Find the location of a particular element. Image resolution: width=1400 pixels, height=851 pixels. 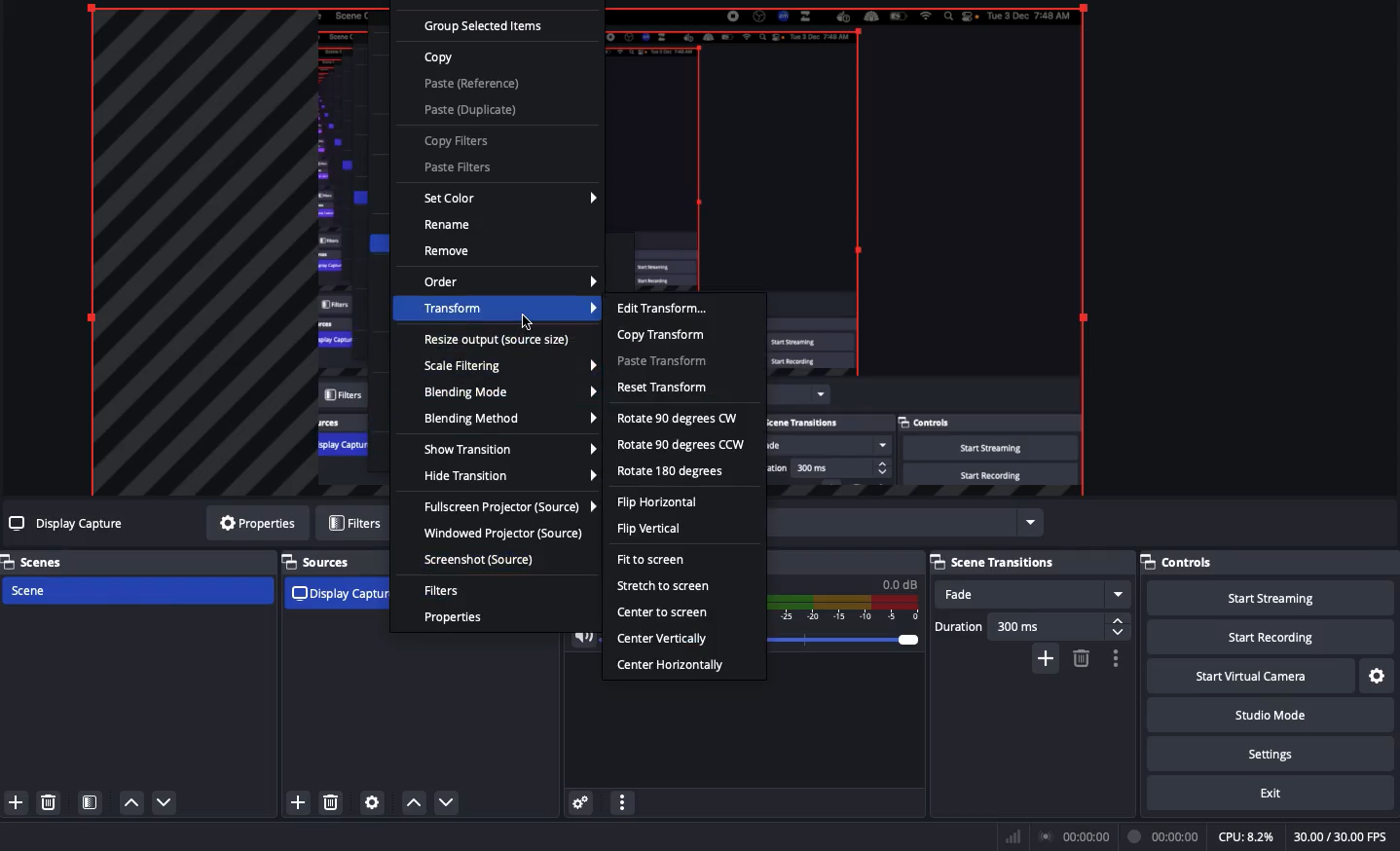

Scale filtering  is located at coordinates (505, 366).